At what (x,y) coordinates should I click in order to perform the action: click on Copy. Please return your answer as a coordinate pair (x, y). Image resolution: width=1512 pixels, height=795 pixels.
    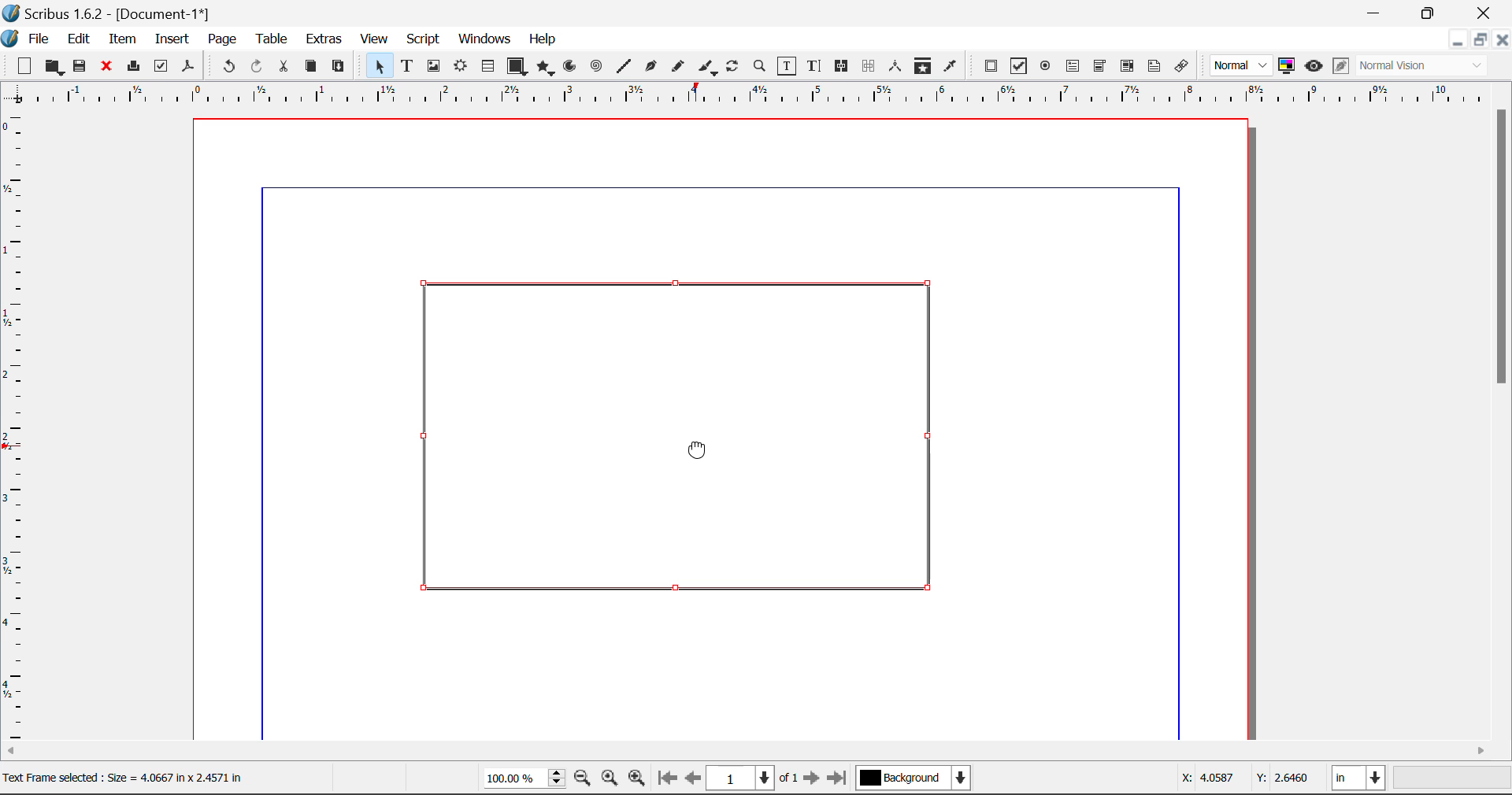
    Looking at the image, I should click on (310, 66).